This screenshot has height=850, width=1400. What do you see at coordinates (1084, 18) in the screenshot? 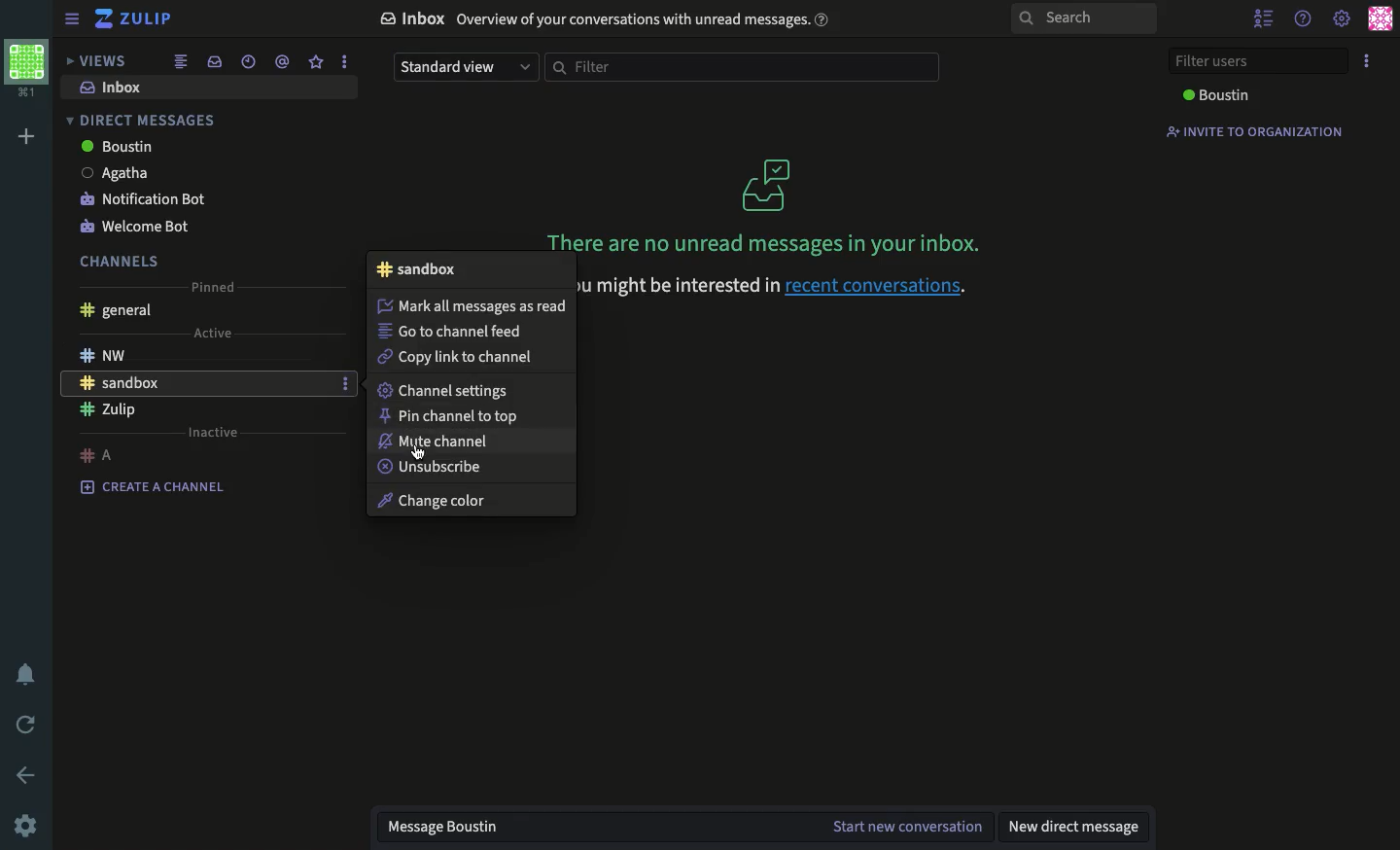
I see `Search` at bounding box center [1084, 18].